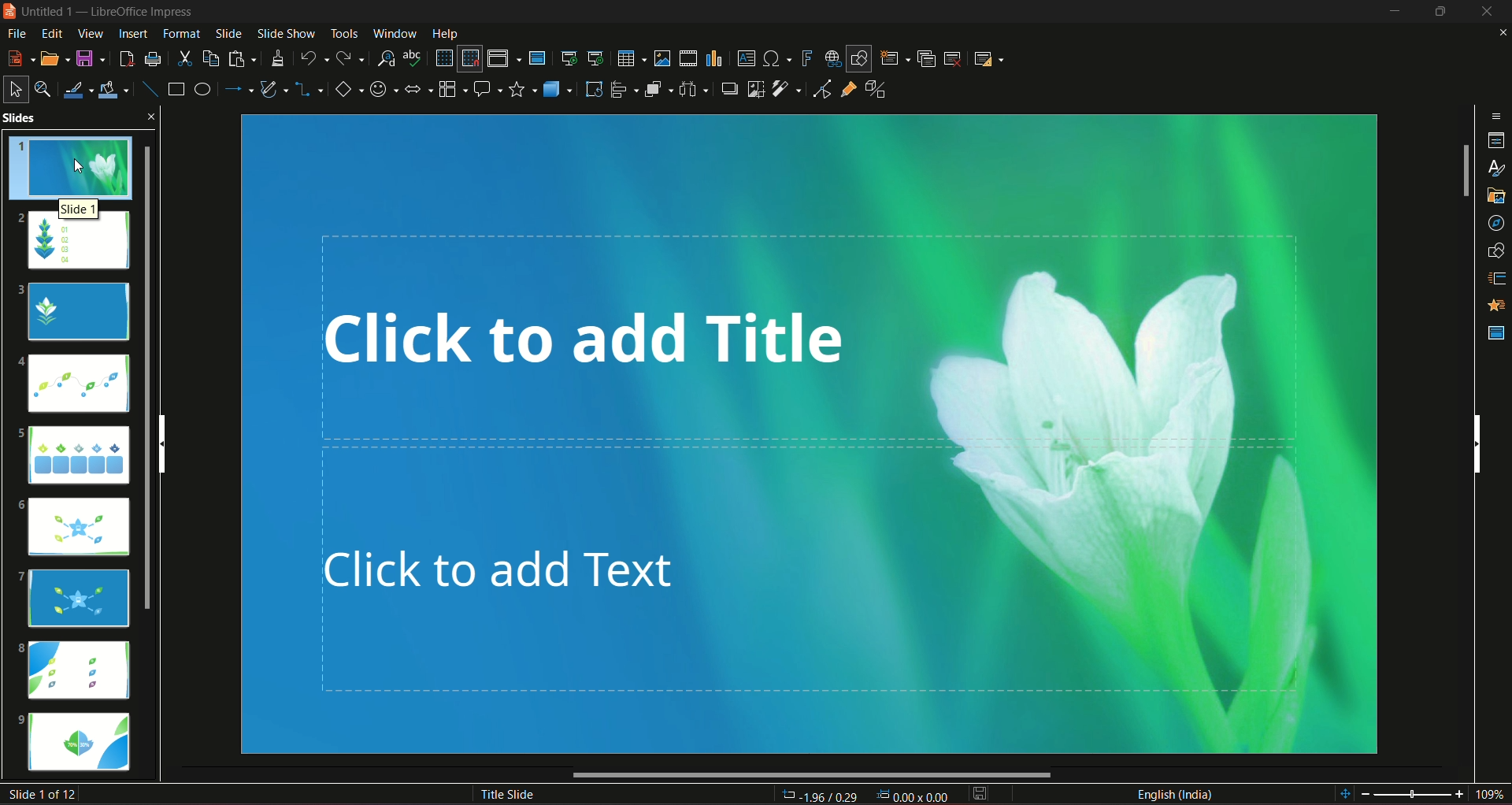 Image resolution: width=1512 pixels, height=805 pixels. What do you see at coordinates (88, 34) in the screenshot?
I see `view` at bounding box center [88, 34].